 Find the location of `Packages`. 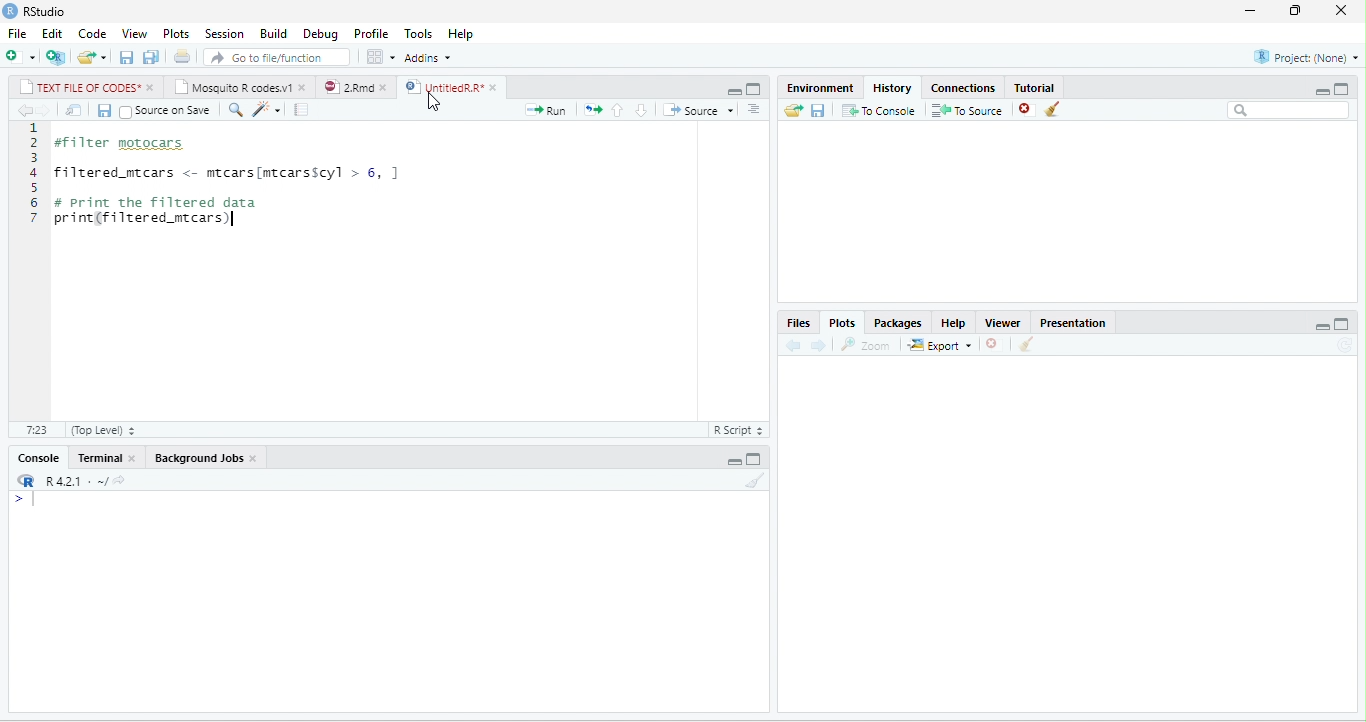

Packages is located at coordinates (898, 323).